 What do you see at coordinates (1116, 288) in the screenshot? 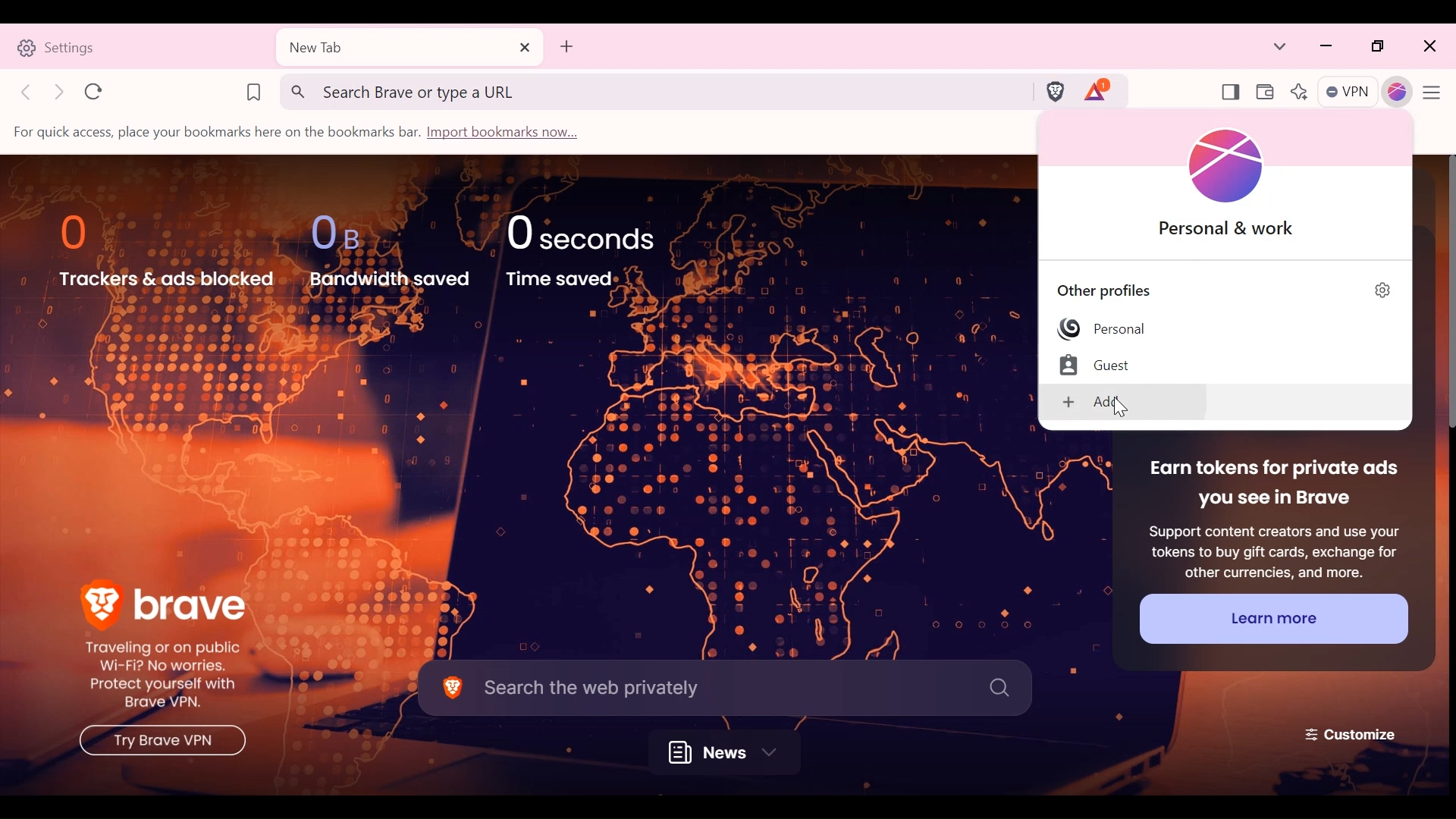
I see `Other profiles` at bounding box center [1116, 288].